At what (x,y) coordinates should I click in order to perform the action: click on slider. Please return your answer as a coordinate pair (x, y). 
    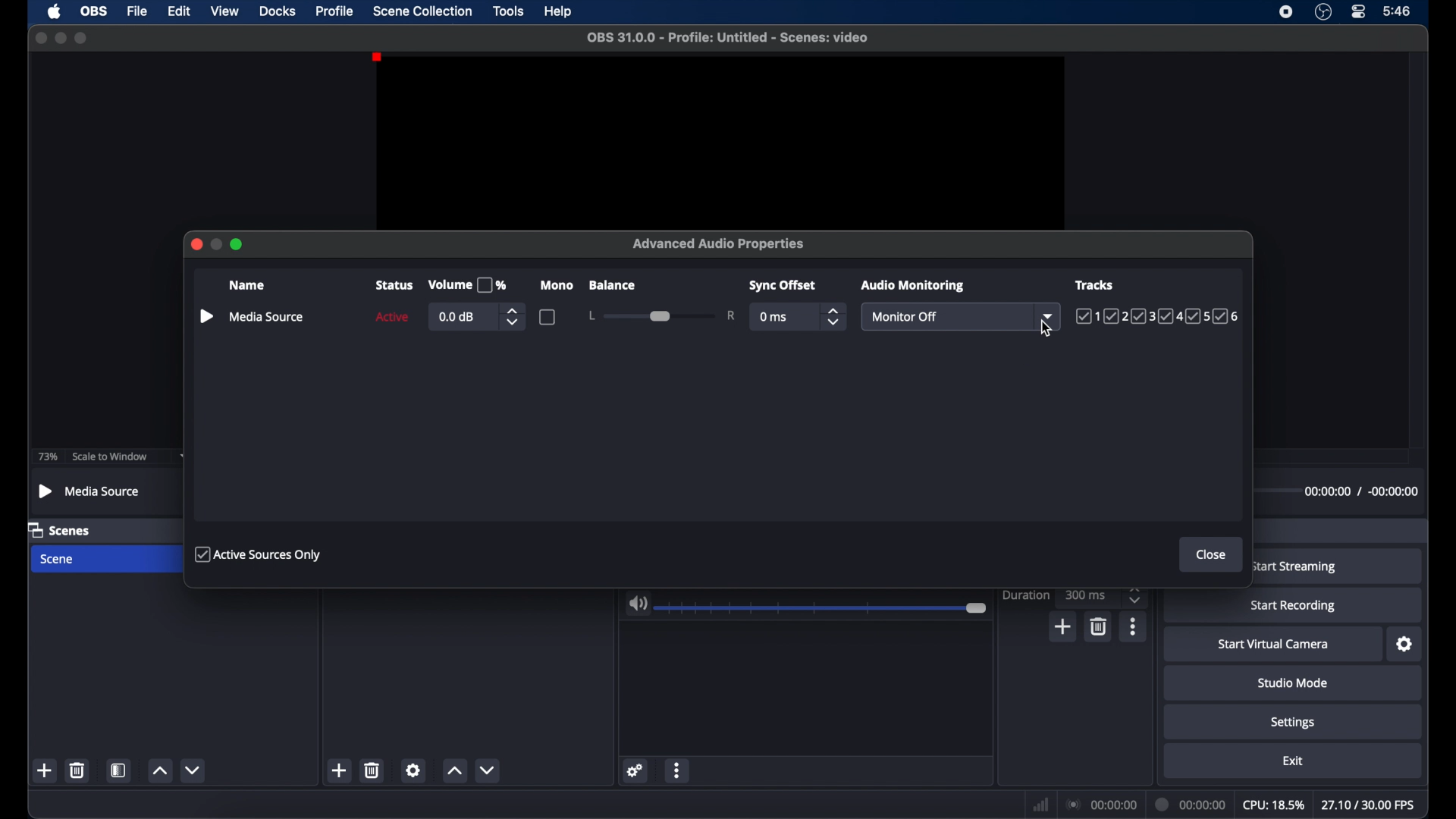
    Looking at the image, I should click on (824, 608).